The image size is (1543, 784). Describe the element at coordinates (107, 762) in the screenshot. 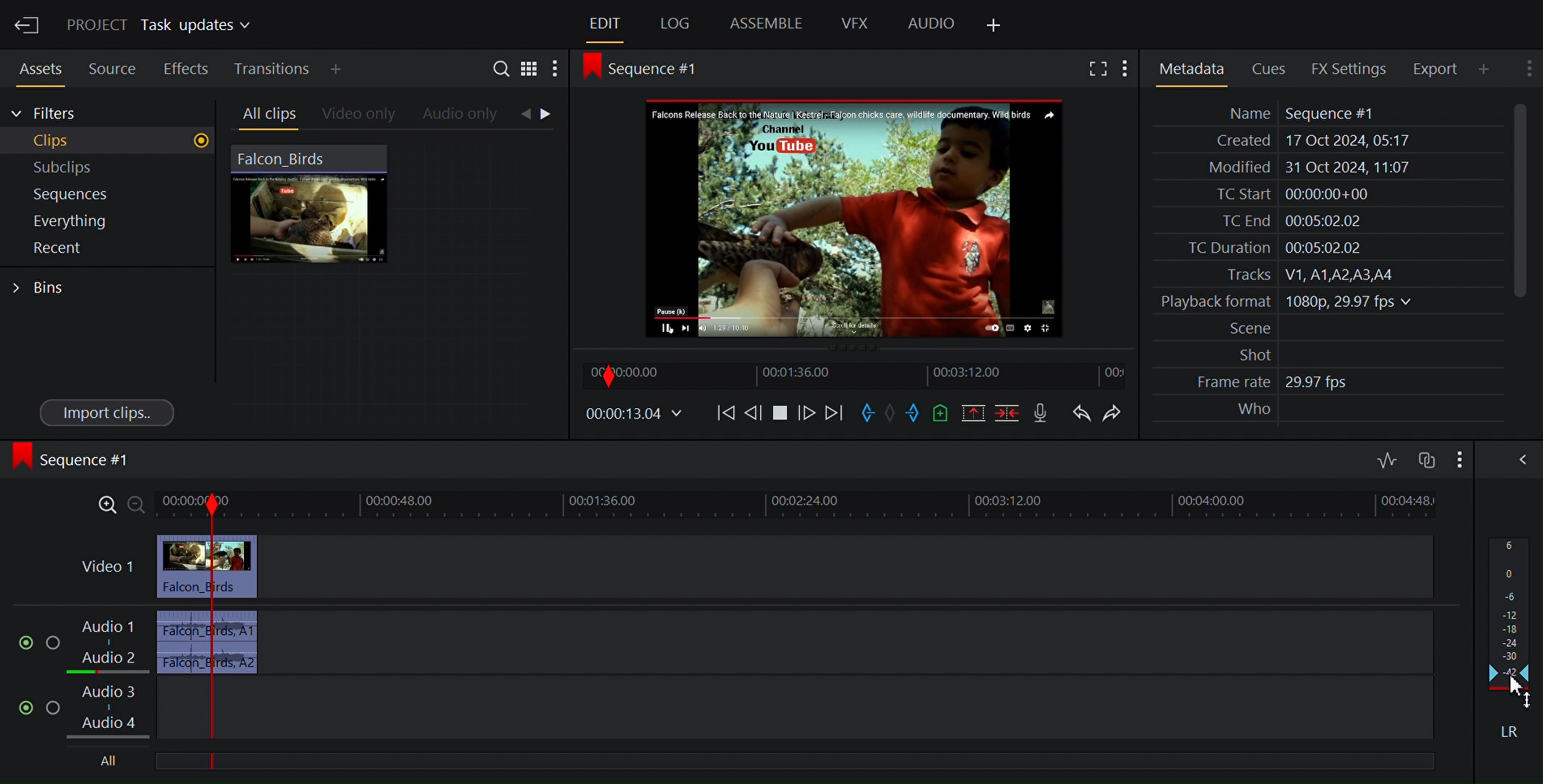

I see `All` at that location.